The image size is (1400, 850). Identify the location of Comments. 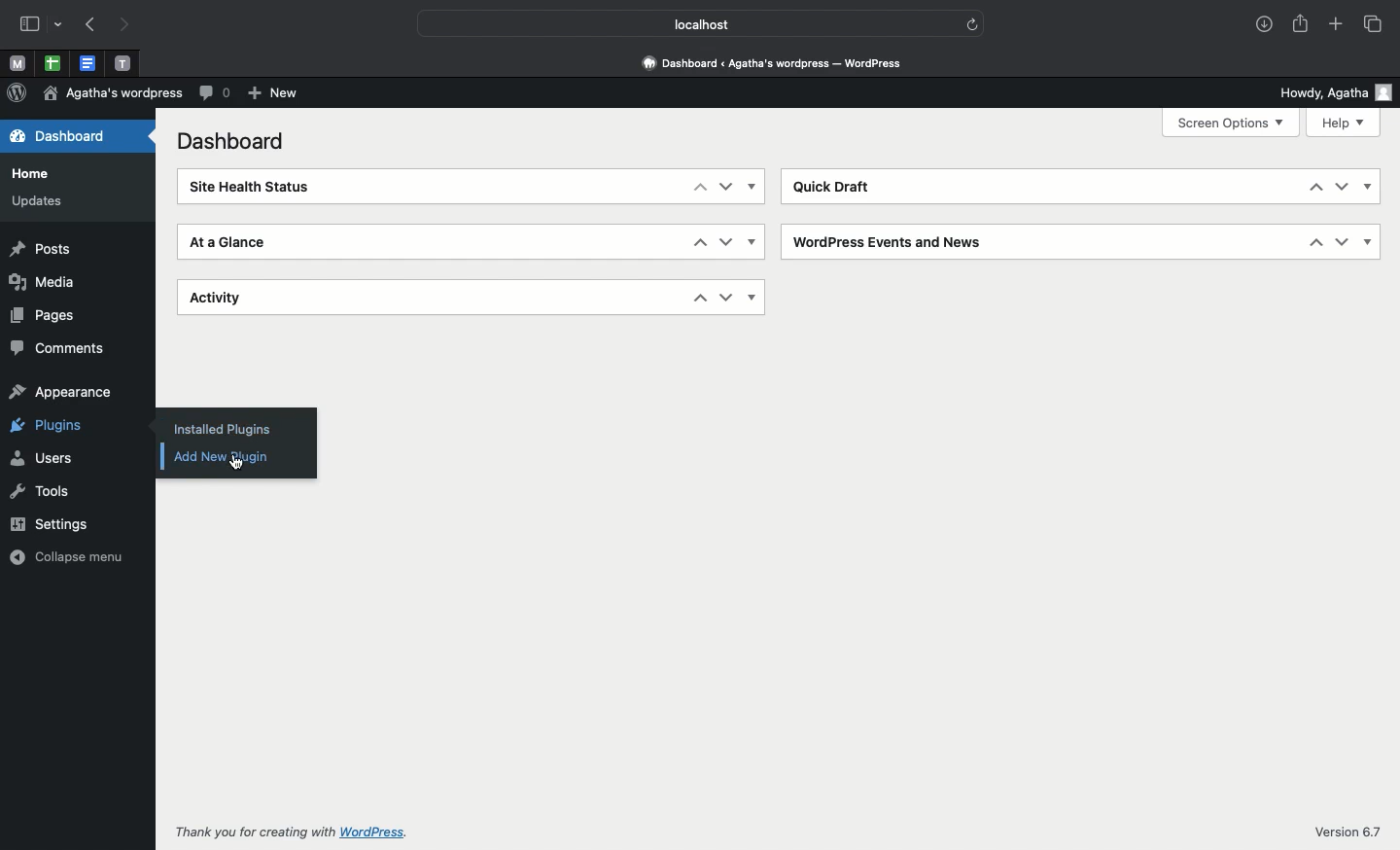
(64, 347).